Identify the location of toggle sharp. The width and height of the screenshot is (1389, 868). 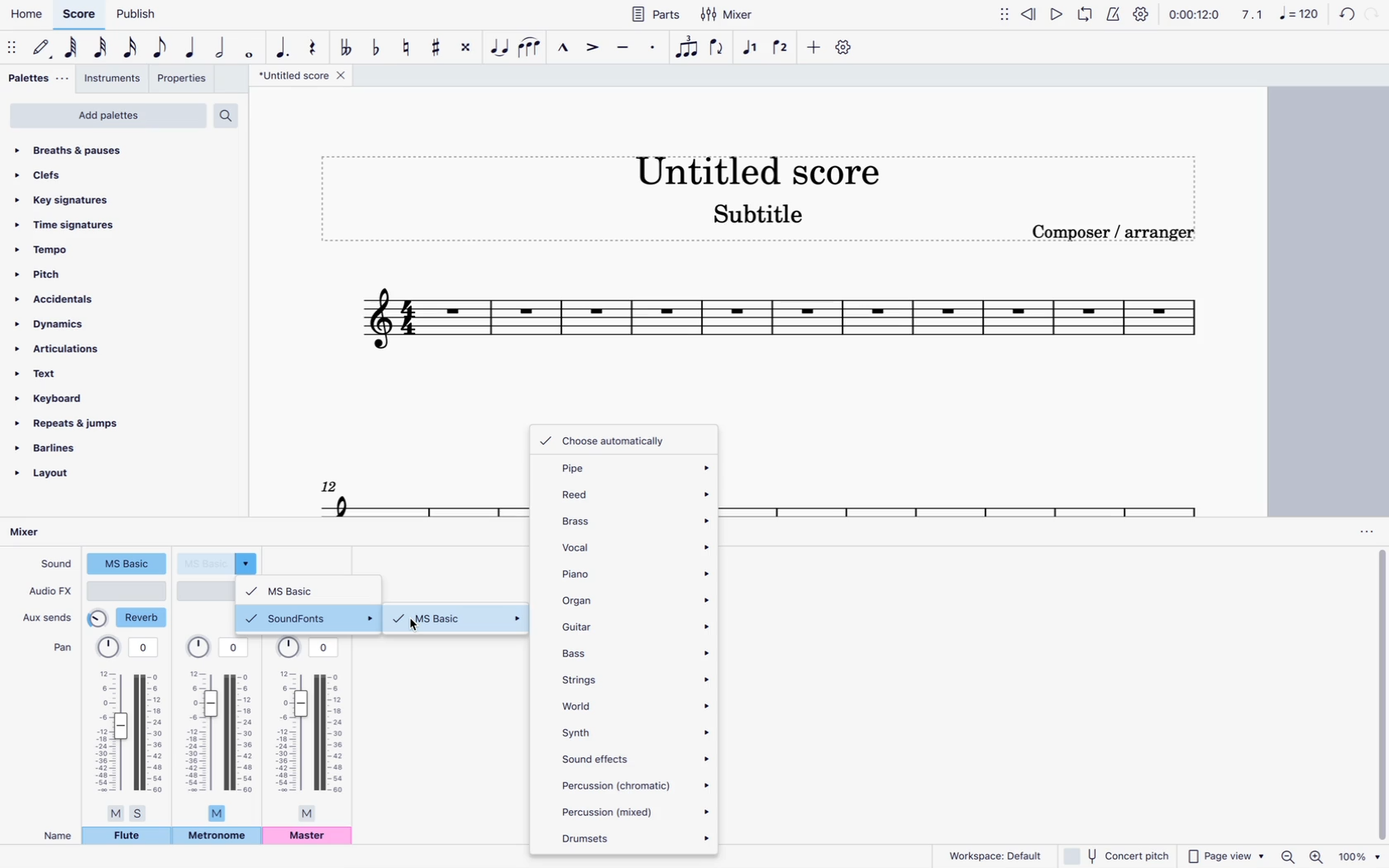
(438, 50).